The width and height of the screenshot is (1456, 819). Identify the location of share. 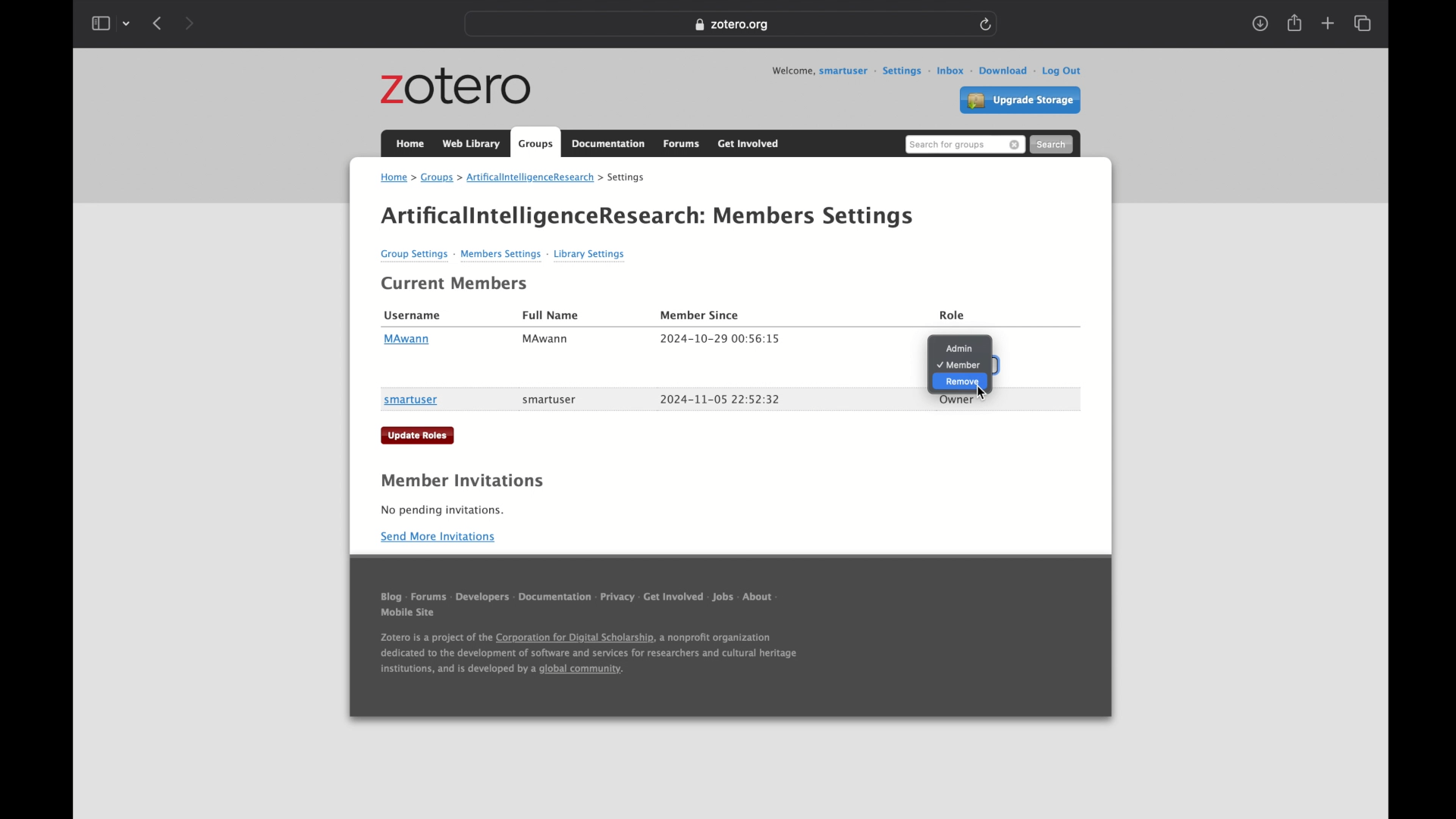
(1294, 23).